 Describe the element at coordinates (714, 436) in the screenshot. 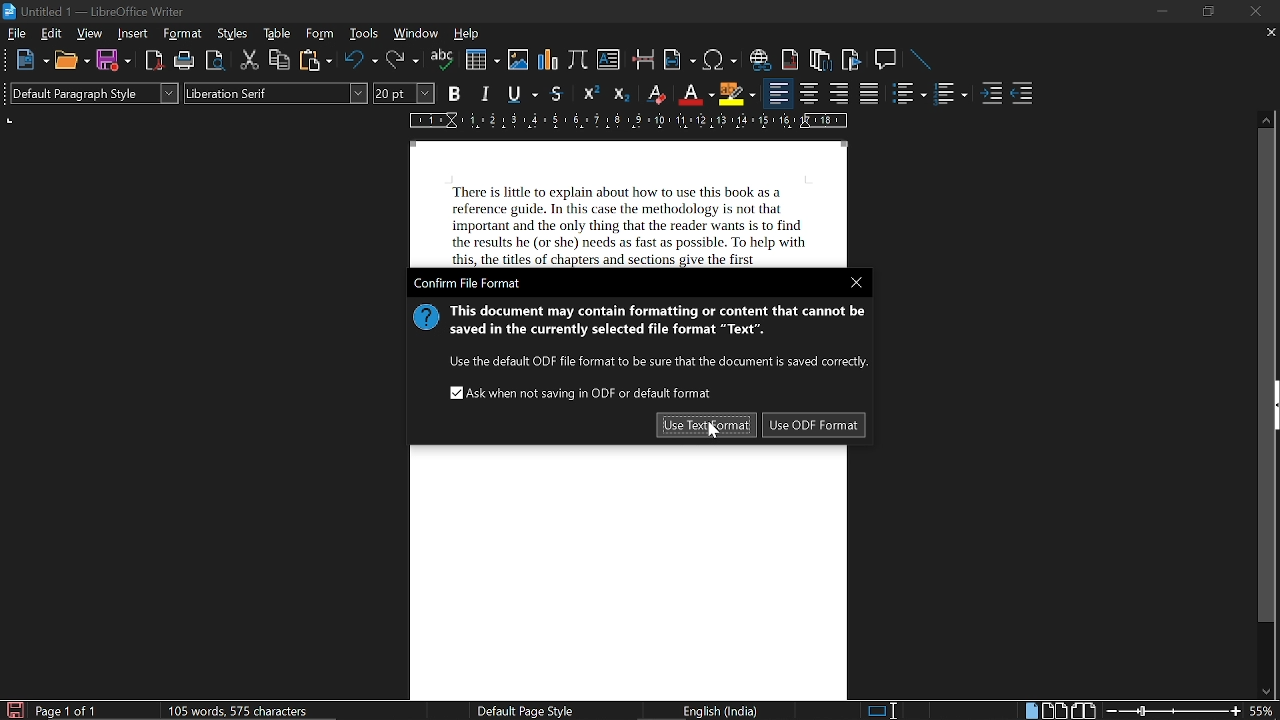

I see `cursor` at that location.